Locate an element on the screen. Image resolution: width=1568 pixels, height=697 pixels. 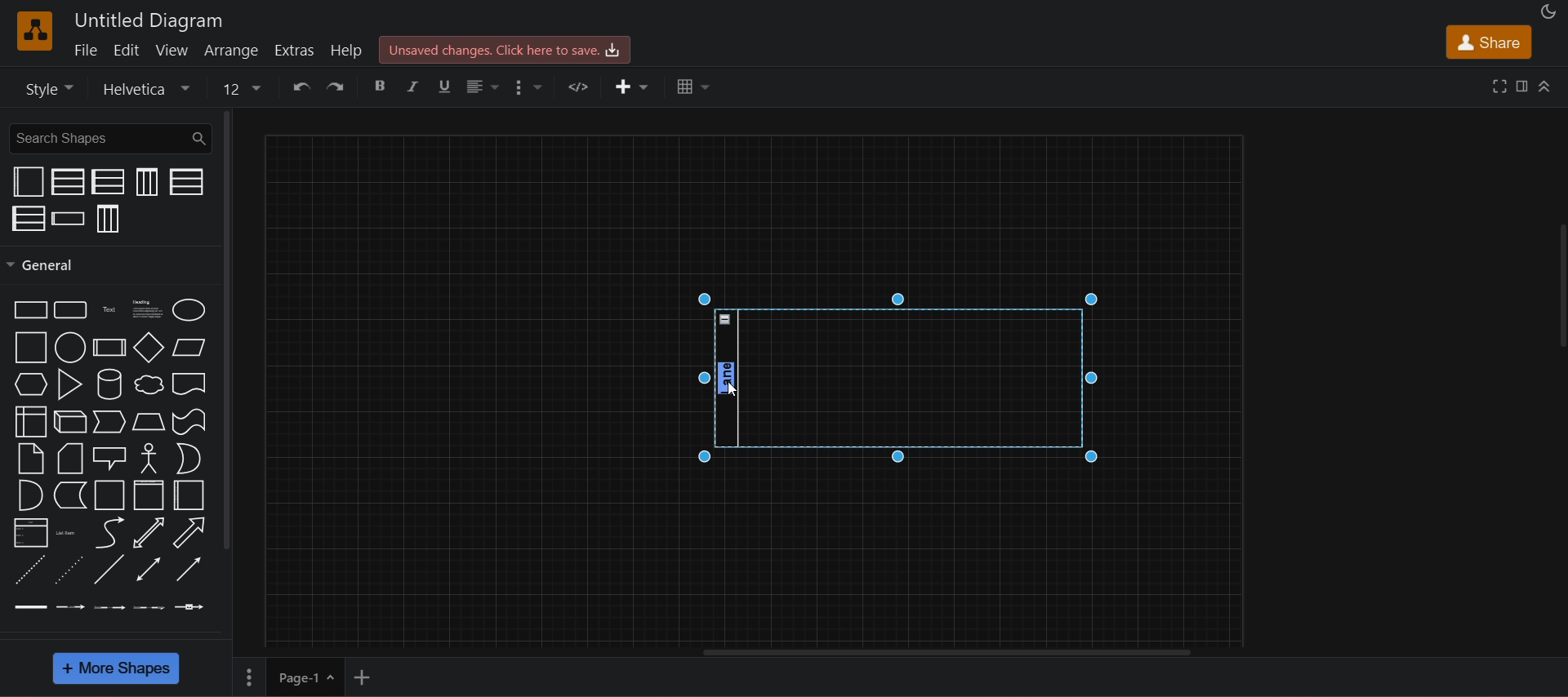
list item is located at coordinates (67, 534).